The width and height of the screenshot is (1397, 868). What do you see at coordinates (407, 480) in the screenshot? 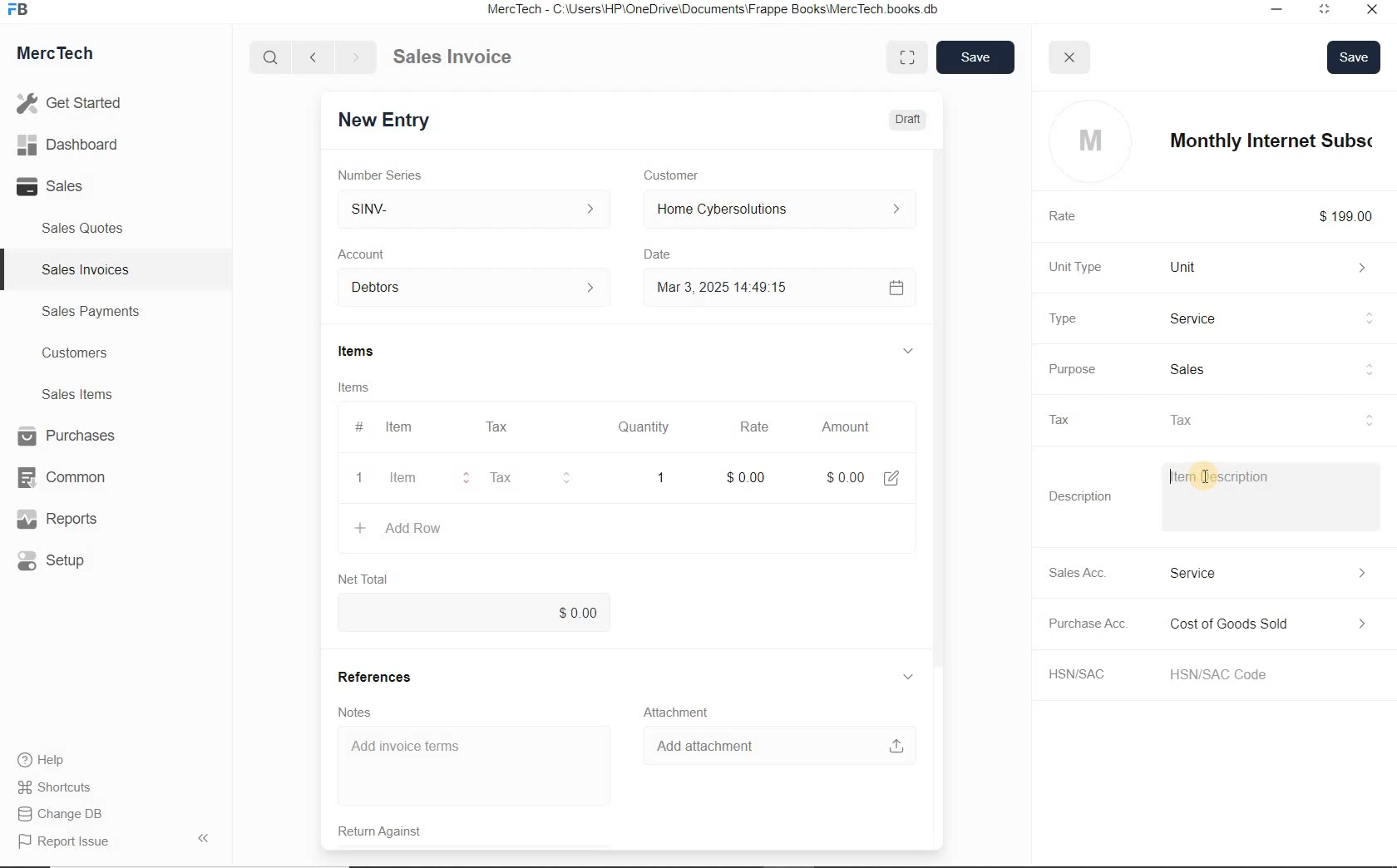
I see `item` at bounding box center [407, 480].